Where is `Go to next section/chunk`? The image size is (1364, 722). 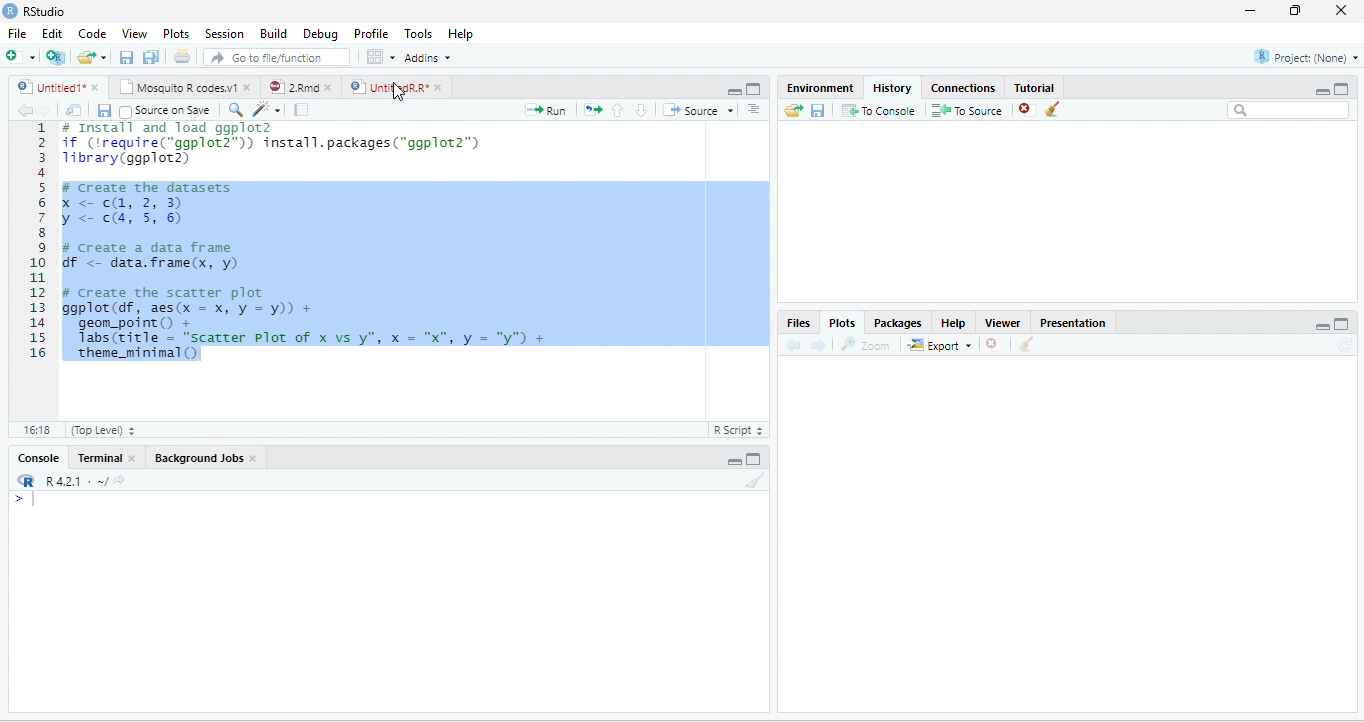
Go to next section/chunk is located at coordinates (641, 110).